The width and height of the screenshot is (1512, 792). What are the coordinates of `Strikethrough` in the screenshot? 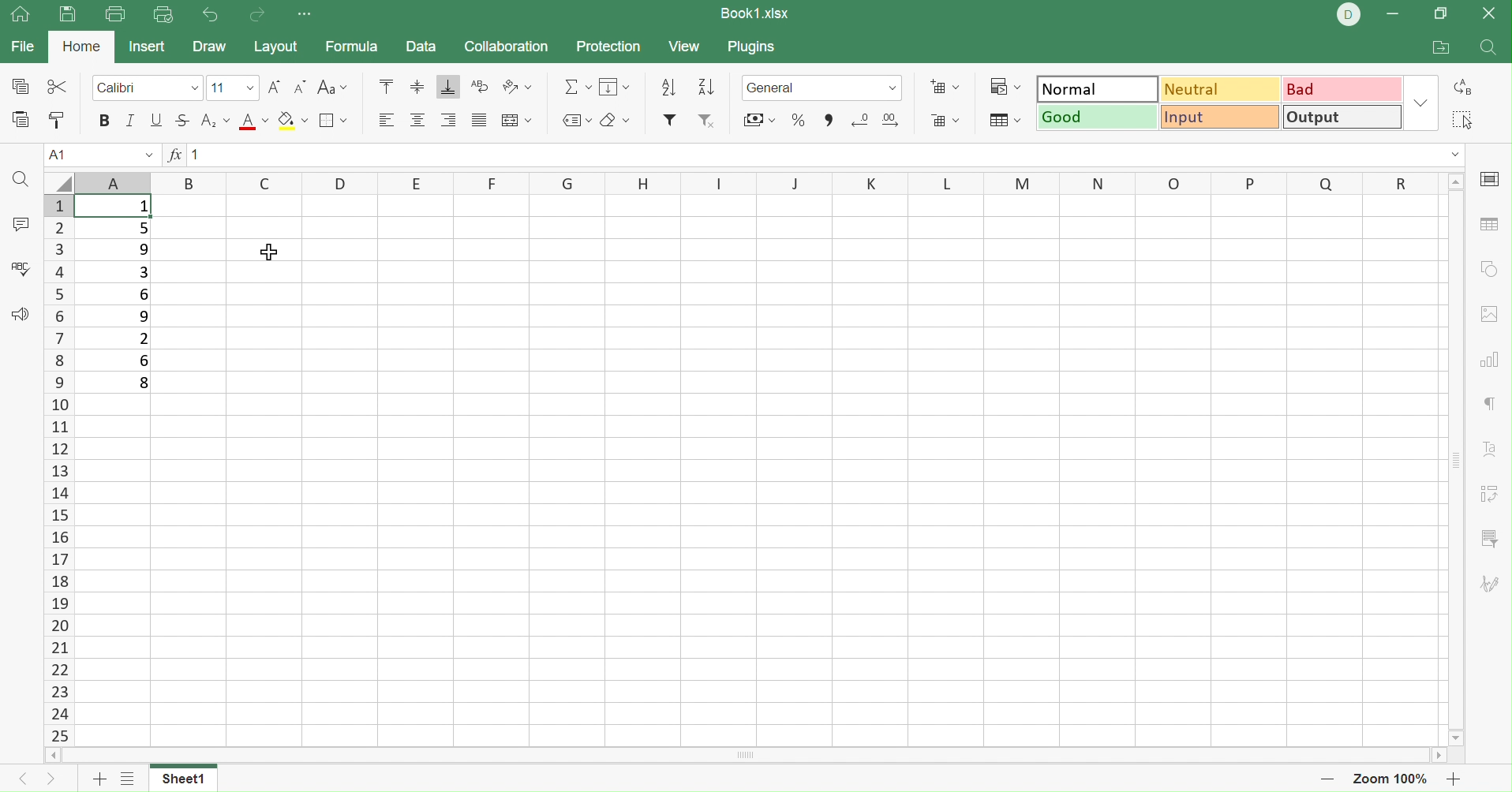 It's located at (182, 120).